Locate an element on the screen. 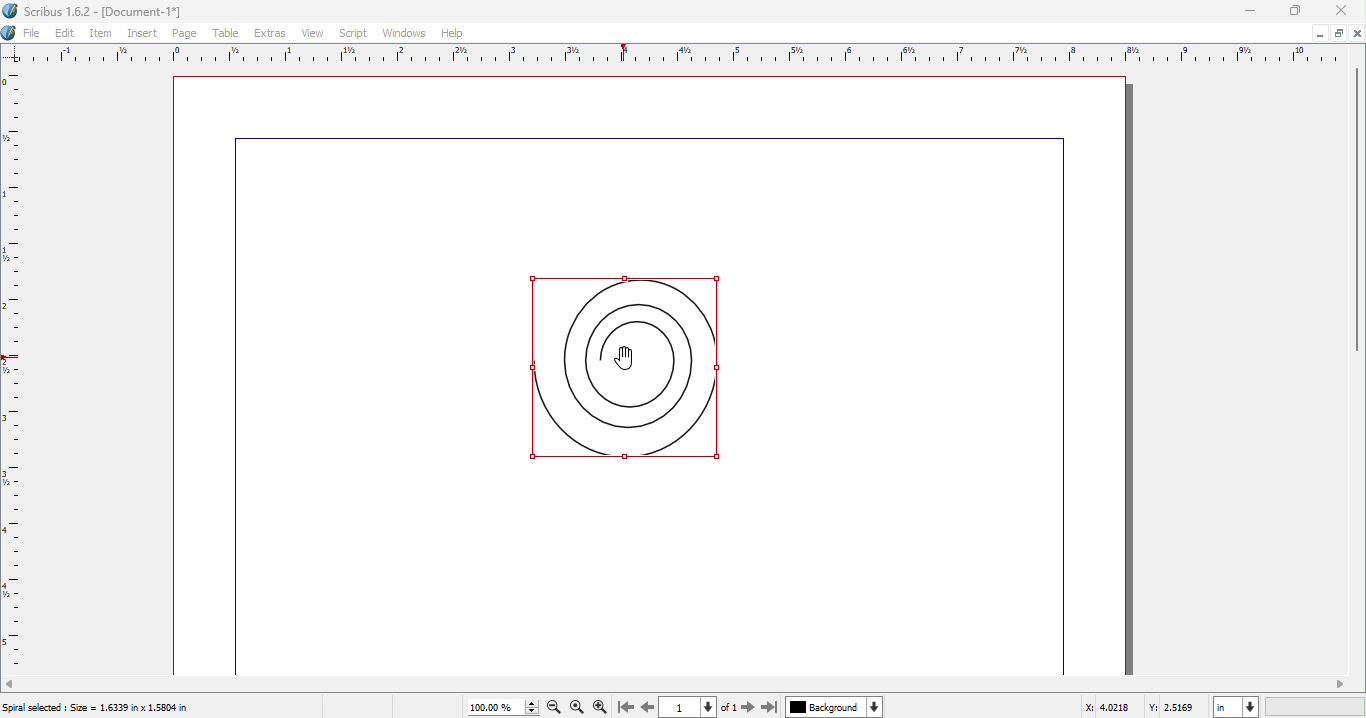 The image size is (1366, 718). Minimize is located at coordinates (1339, 33).